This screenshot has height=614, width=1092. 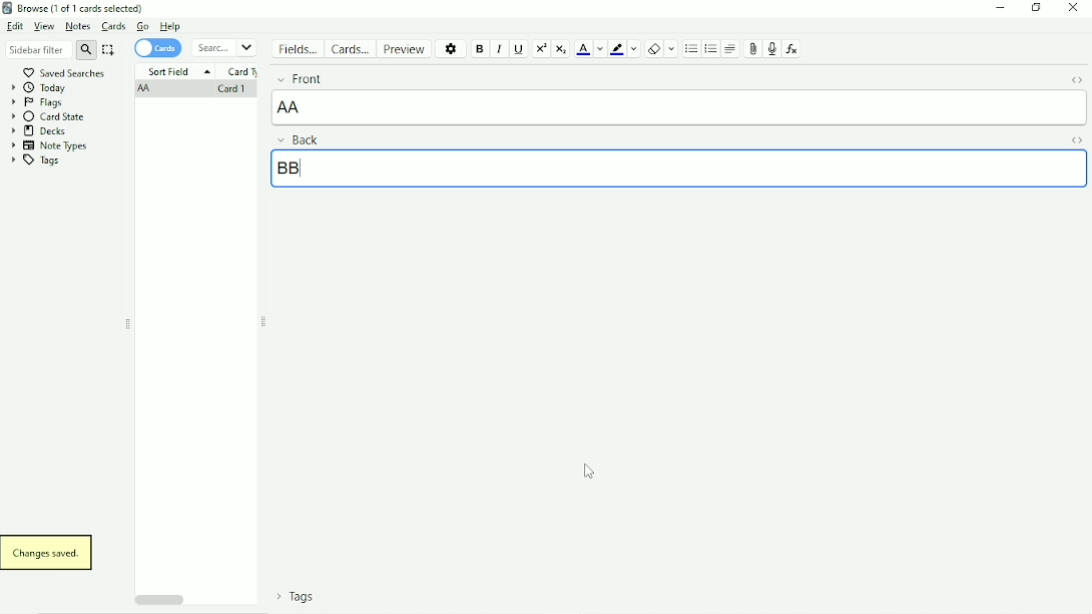 What do you see at coordinates (405, 49) in the screenshot?
I see `Preview` at bounding box center [405, 49].